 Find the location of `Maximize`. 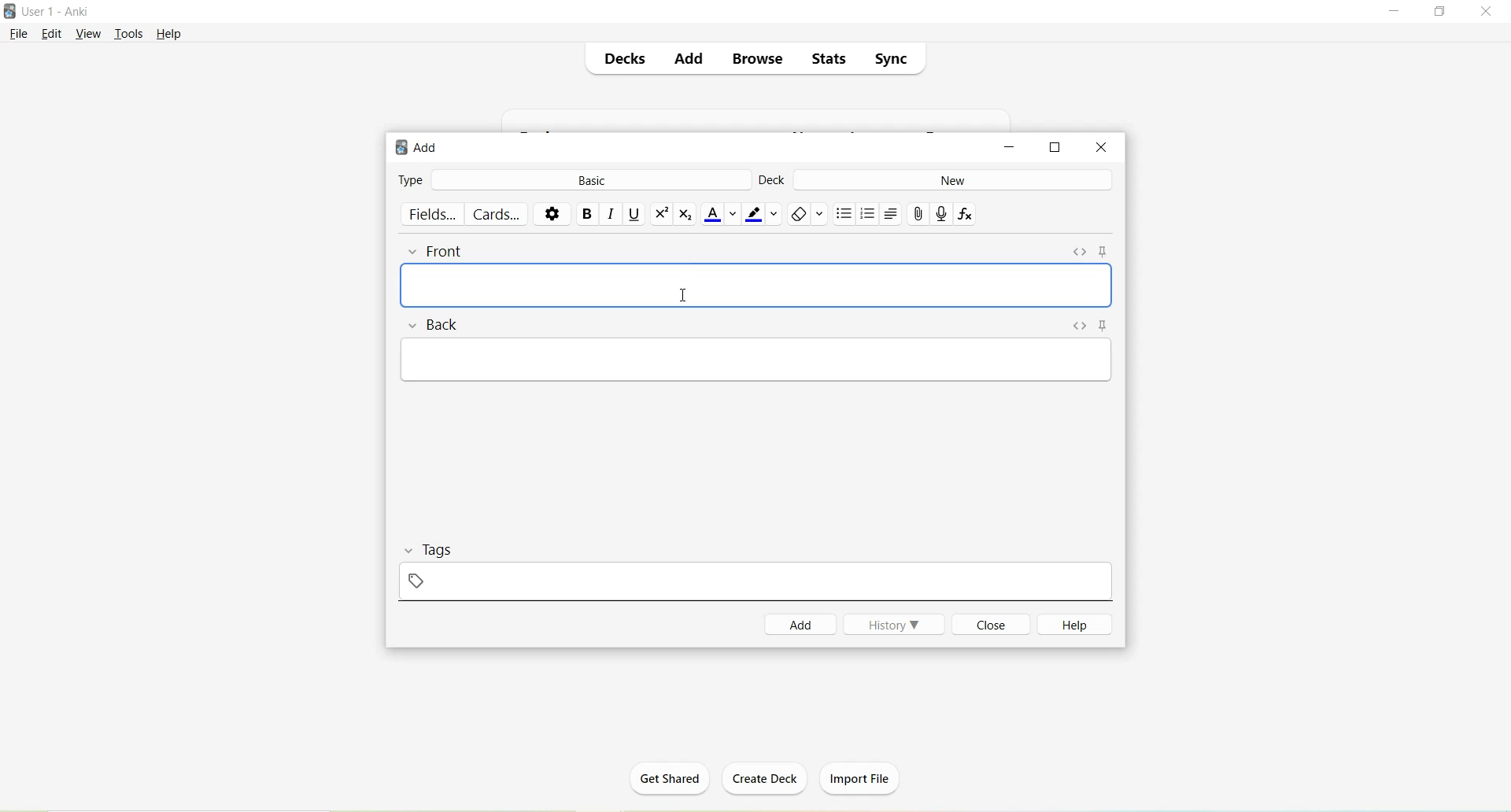

Maximize is located at coordinates (1440, 12).